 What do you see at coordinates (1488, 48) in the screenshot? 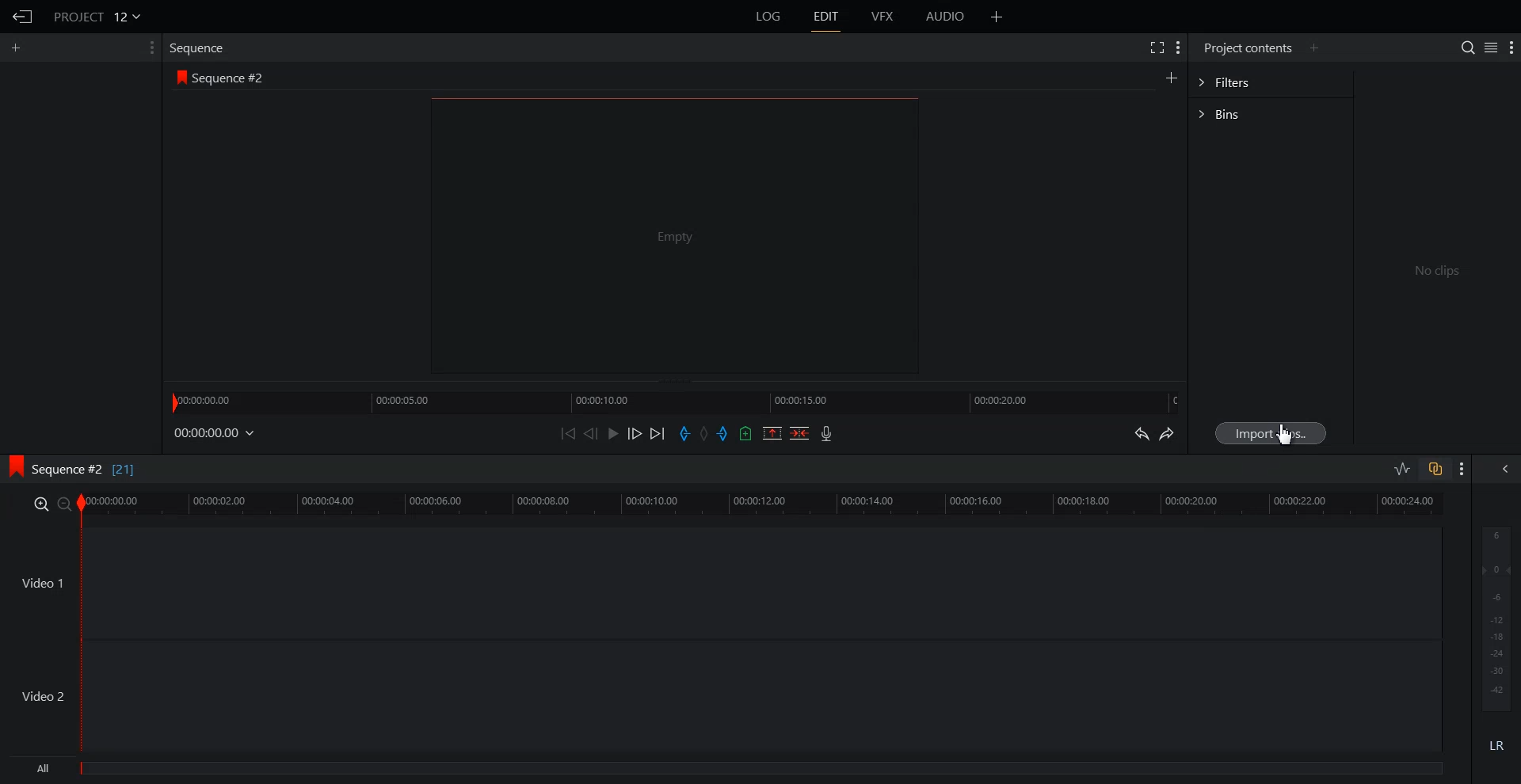
I see `Toggle between list and tile view` at bounding box center [1488, 48].